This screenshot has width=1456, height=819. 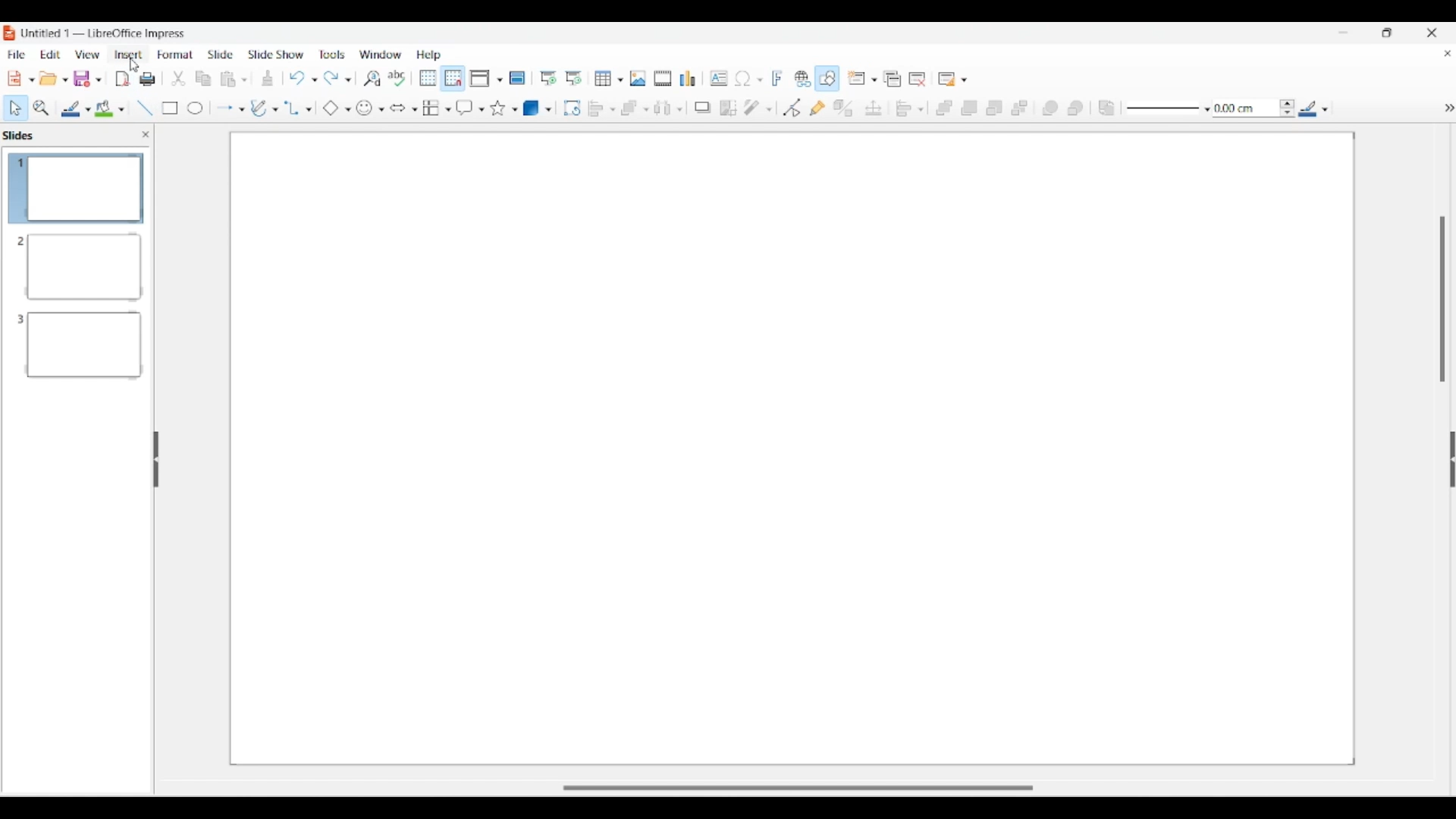 What do you see at coordinates (1387, 33) in the screenshot?
I see `Show in smaller tab` at bounding box center [1387, 33].